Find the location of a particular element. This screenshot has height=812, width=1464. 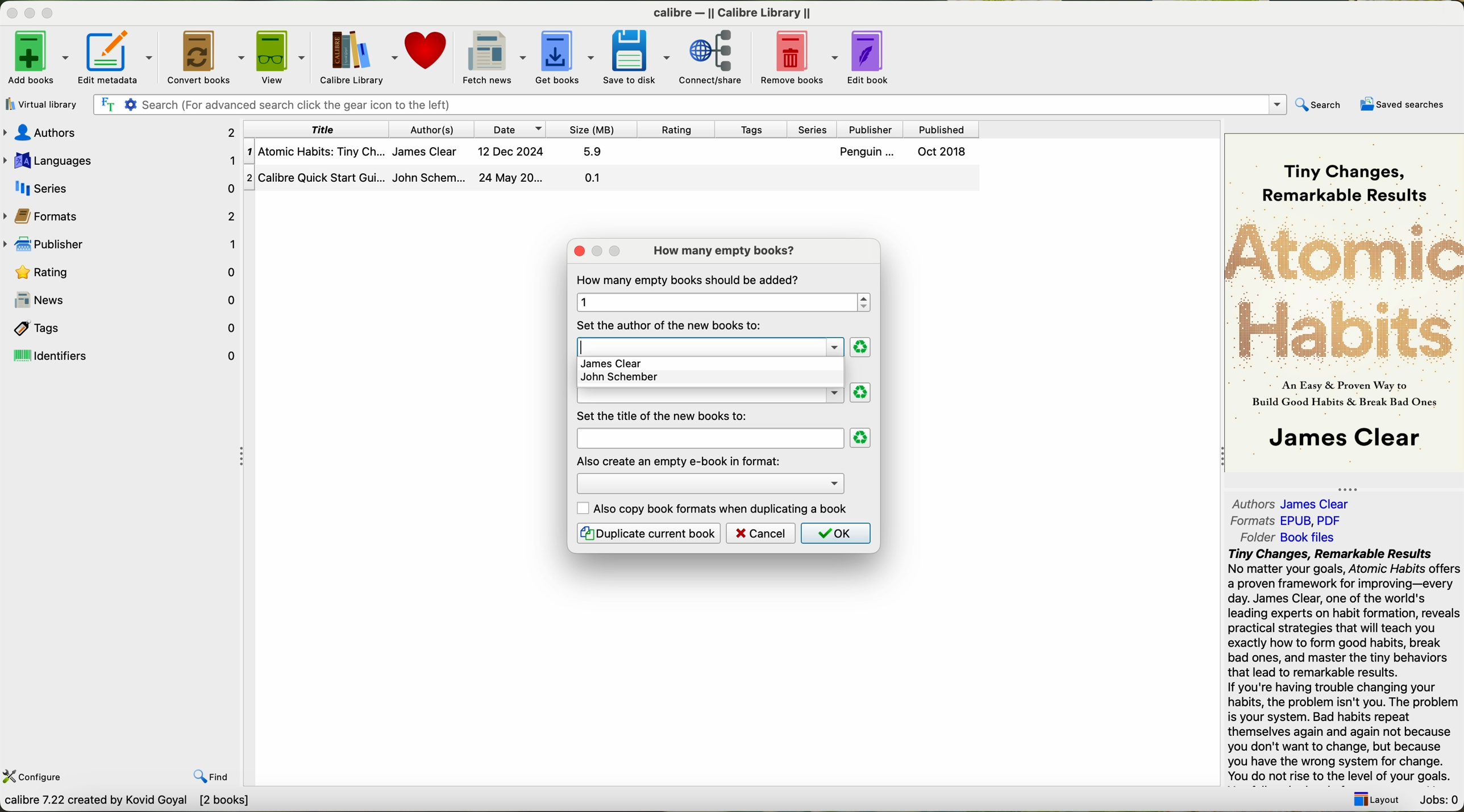

maximize is located at coordinates (615, 252).